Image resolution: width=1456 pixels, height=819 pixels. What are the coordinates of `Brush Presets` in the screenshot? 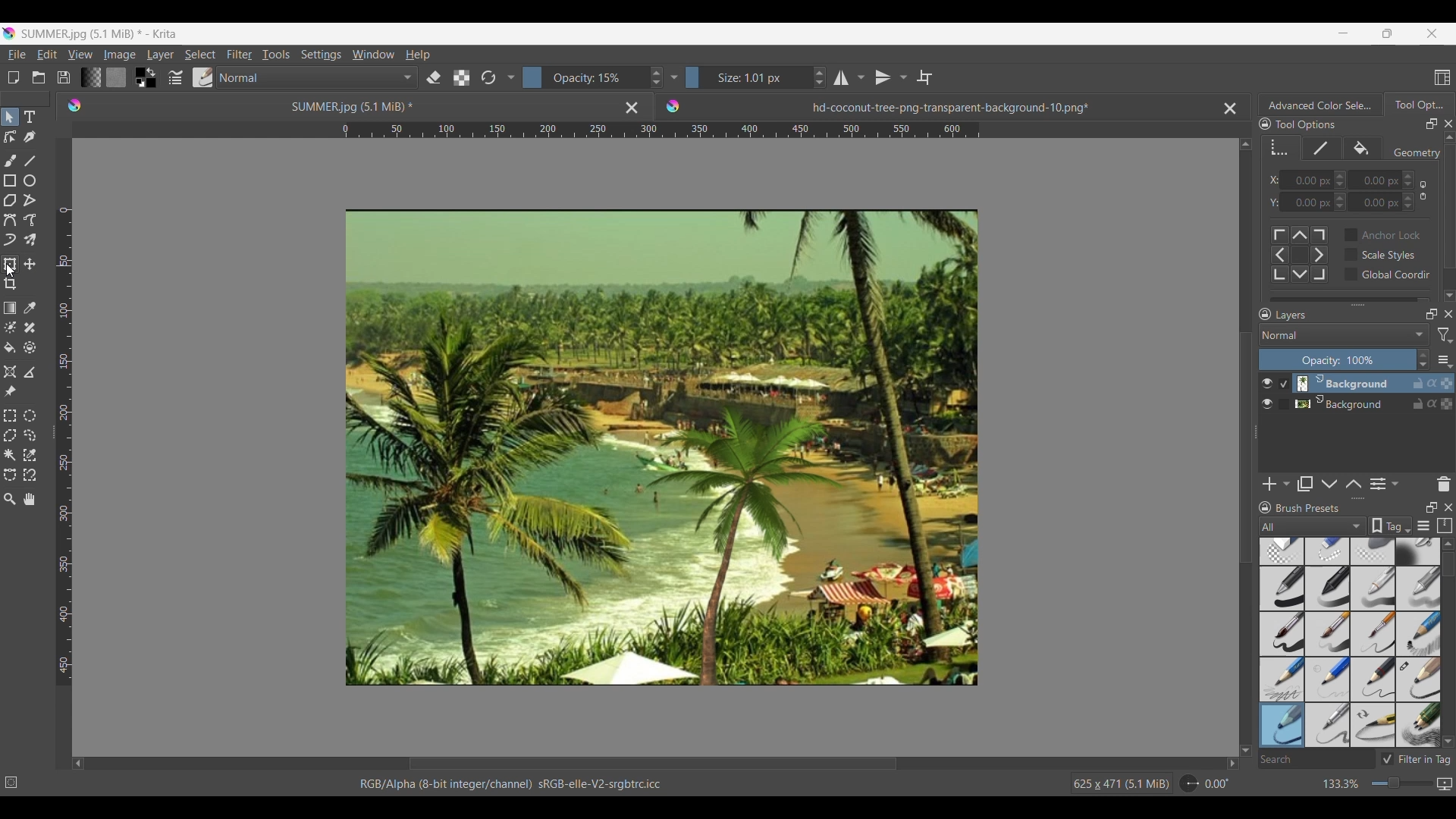 It's located at (1314, 508).